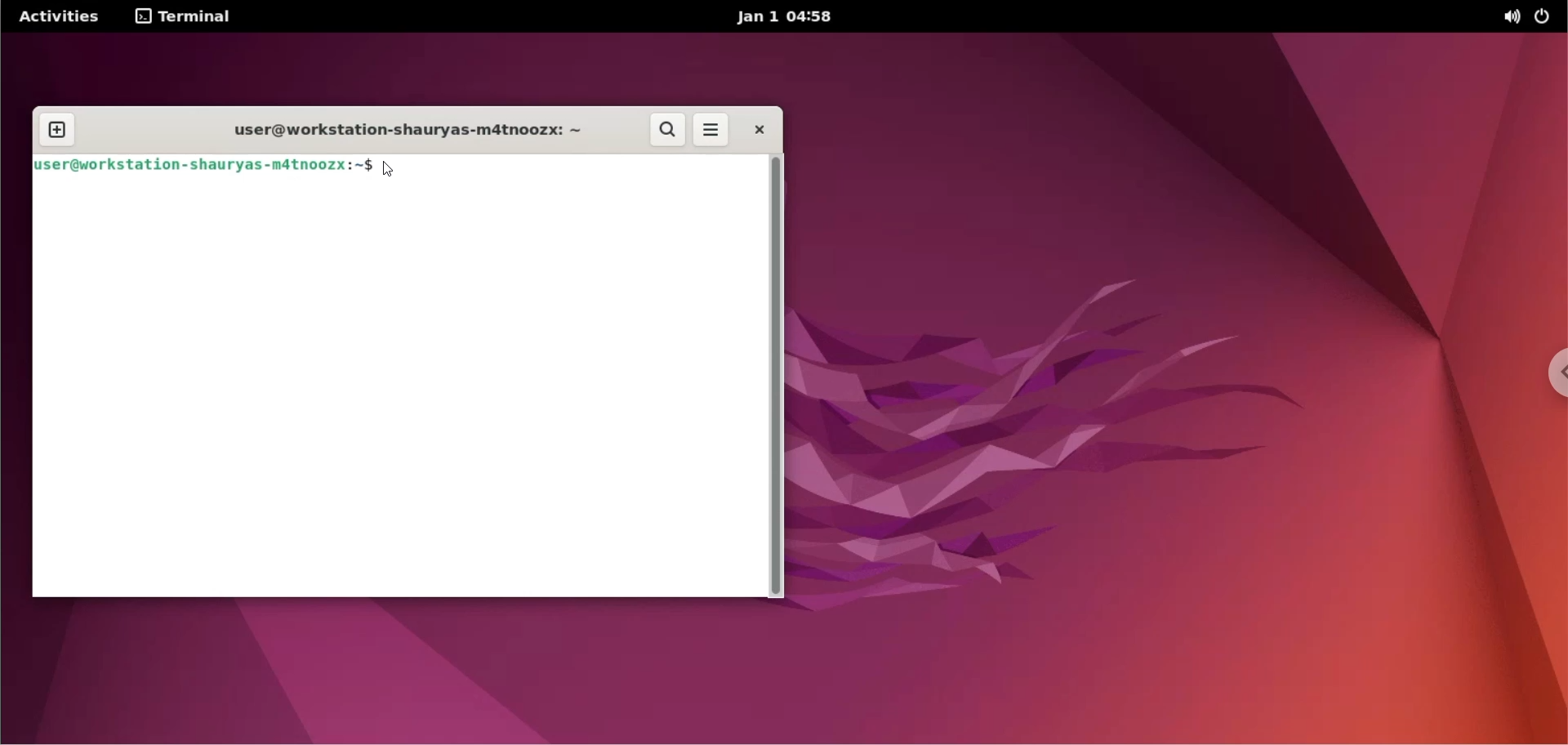  Describe the element at coordinates (403, 128) in the screenshot. I see `user@workstation-shauryas-m4tnoozx: ~` at that location.